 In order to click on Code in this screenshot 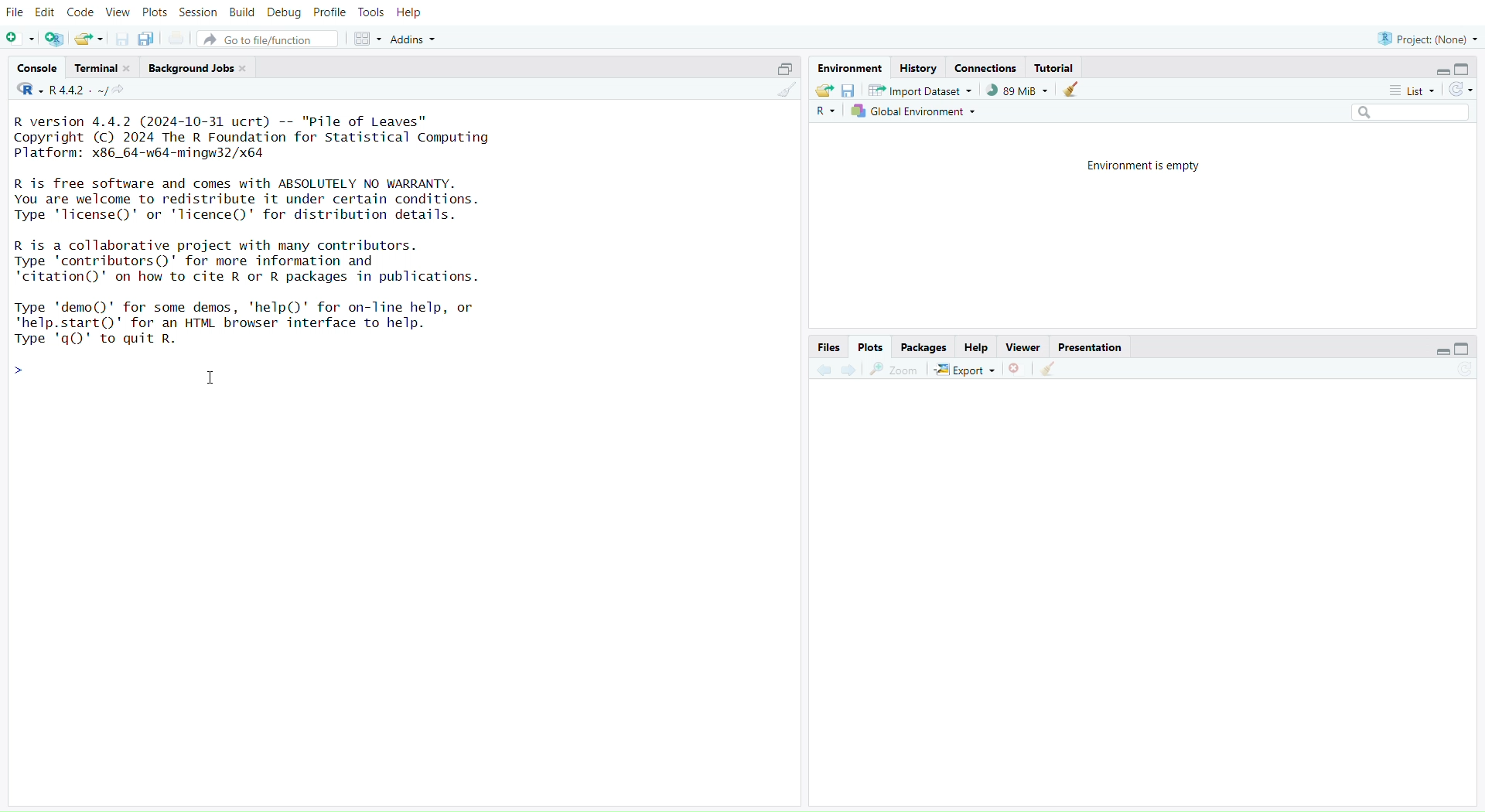, I will do `click(81, 12)`.